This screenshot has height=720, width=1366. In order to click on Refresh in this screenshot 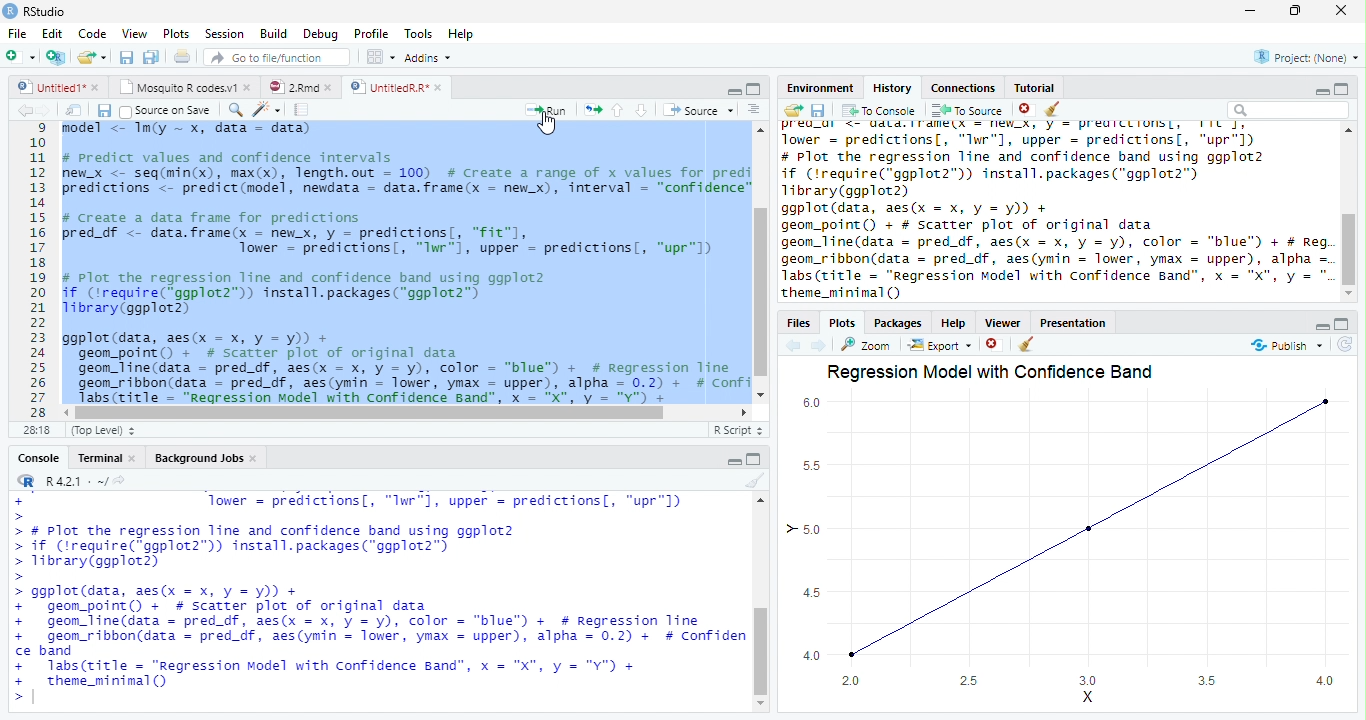, I will do `click(1350, 347)`.